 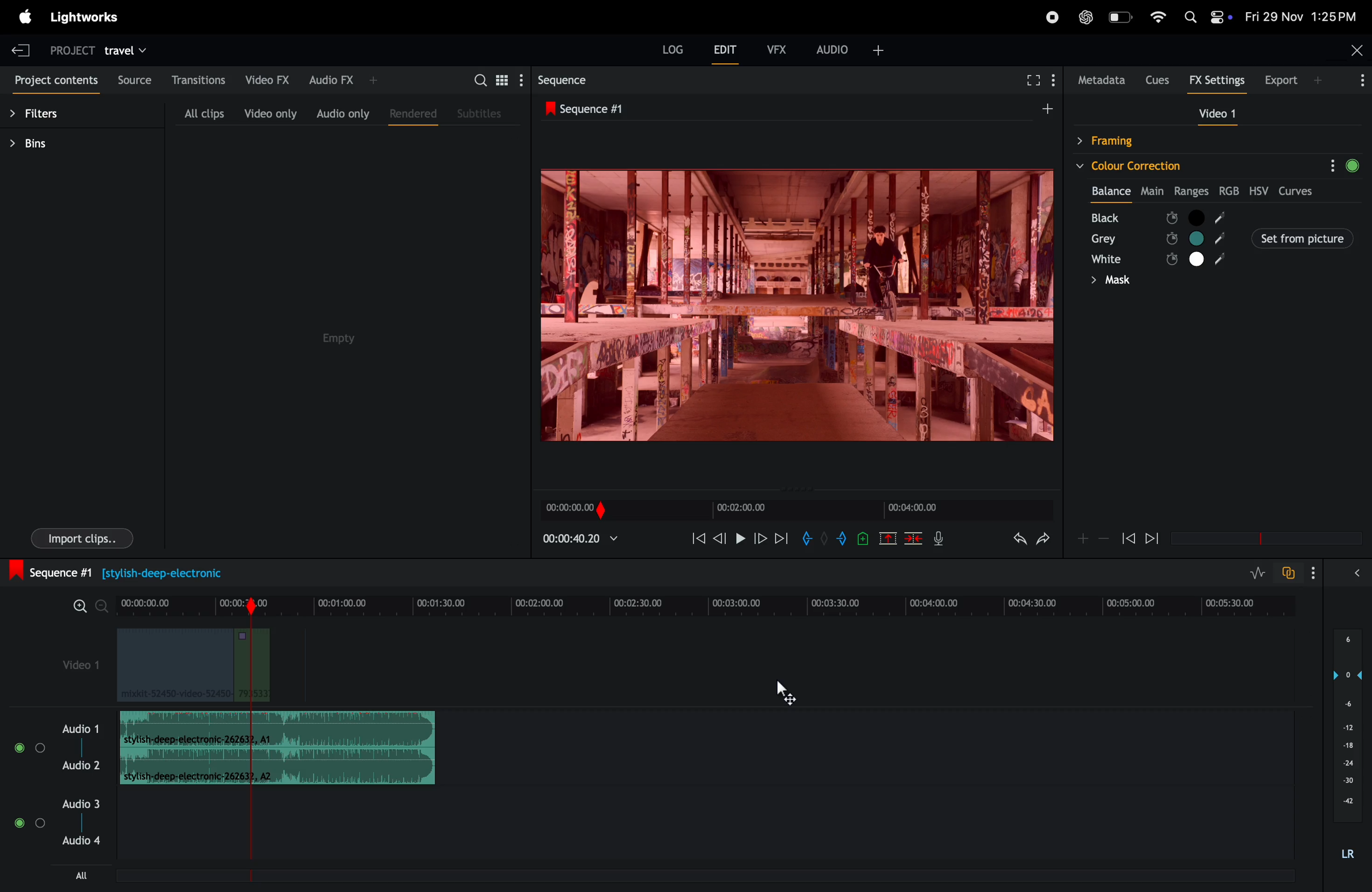 What do you see at coordinates (42, 144) in the screenshot?
I see `bins` at bounding box center [42, 144].